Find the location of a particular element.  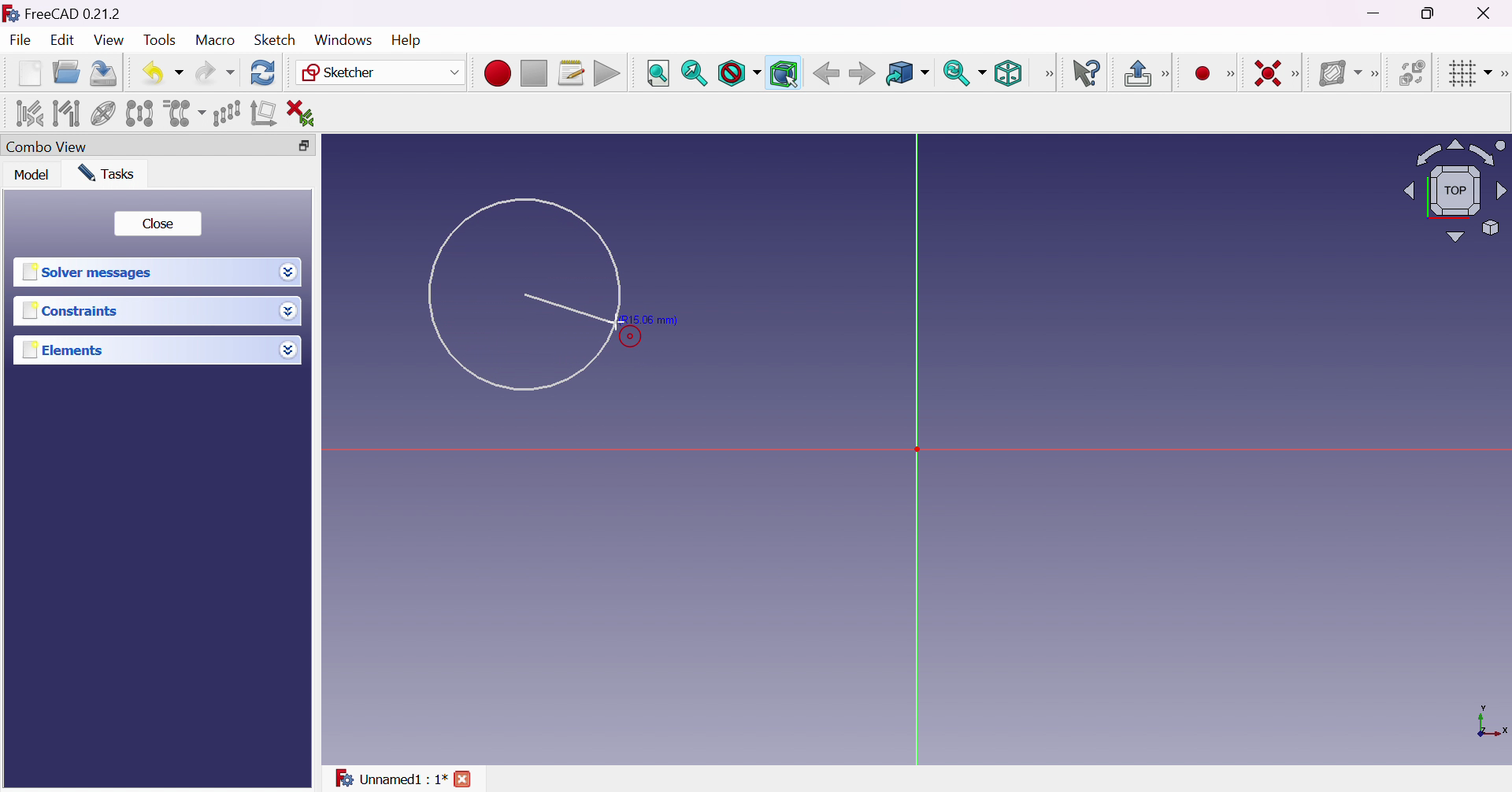

Undo is located at coordinates (163, 72).